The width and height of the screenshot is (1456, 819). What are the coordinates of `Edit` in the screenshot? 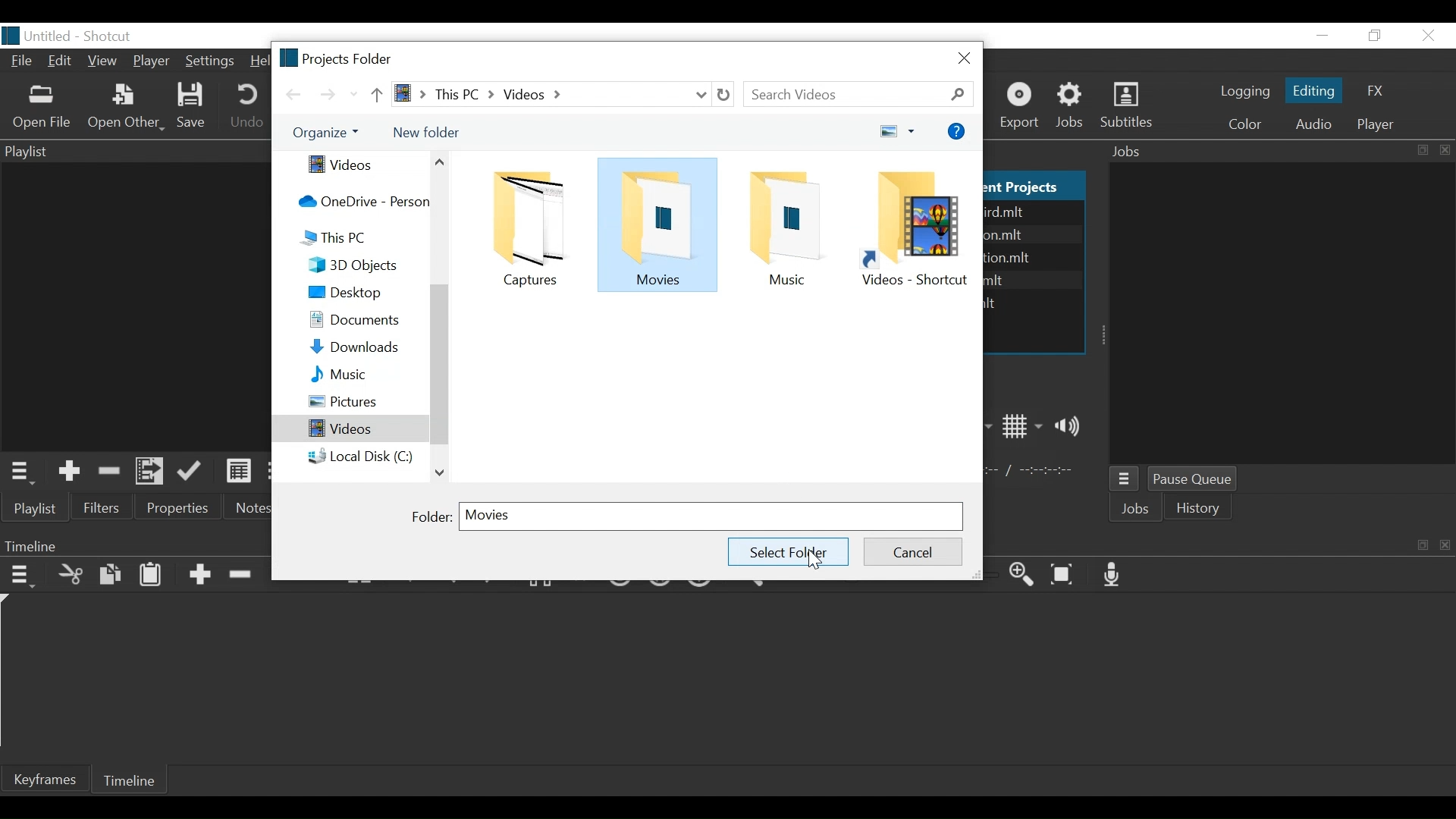 It's located at (61, 63).